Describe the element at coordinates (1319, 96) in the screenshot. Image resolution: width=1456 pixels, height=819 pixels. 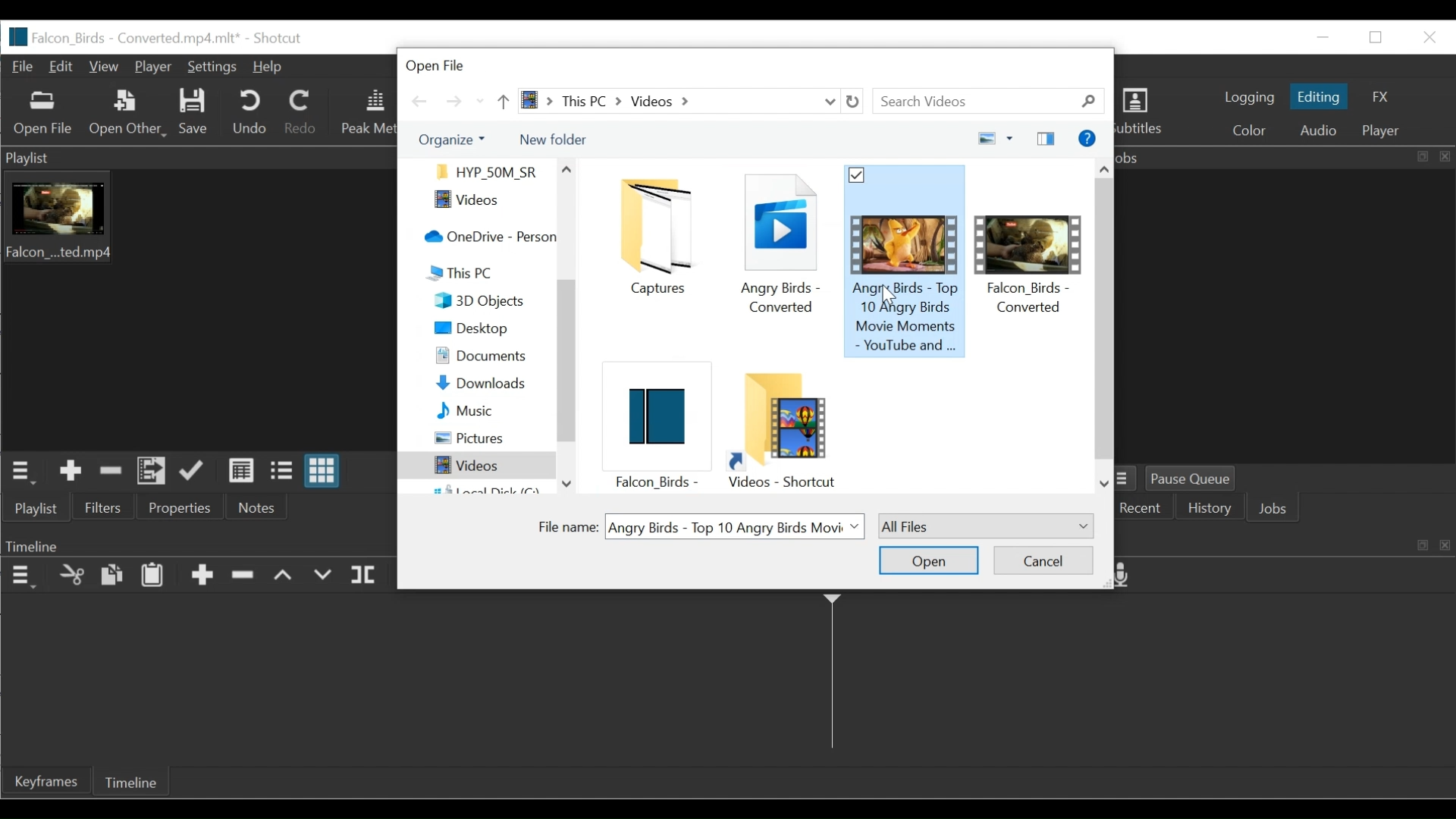
I see `Editing` at that location.